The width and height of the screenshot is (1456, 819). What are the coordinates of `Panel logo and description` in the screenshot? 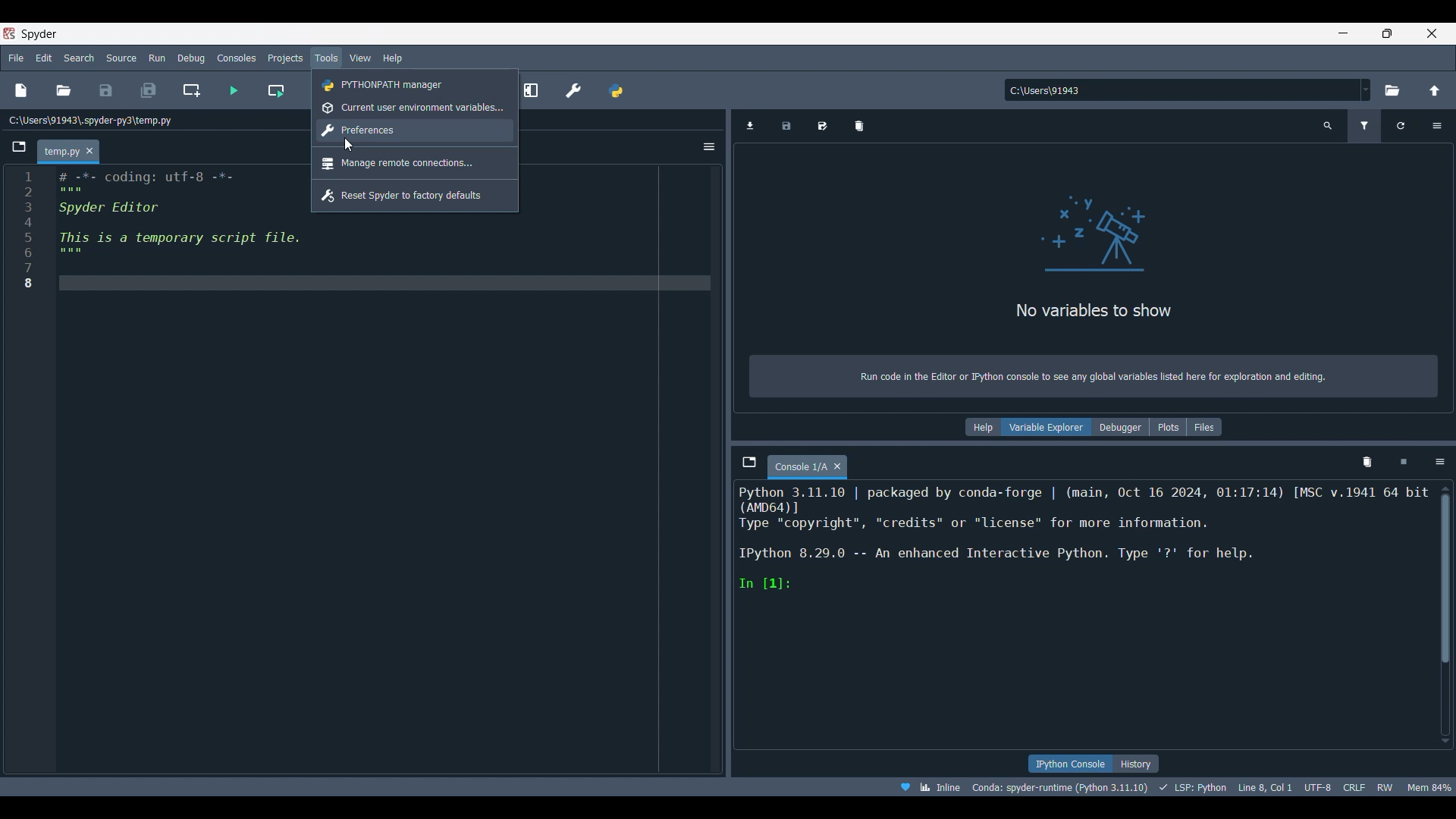 It's located at (1097, 276).